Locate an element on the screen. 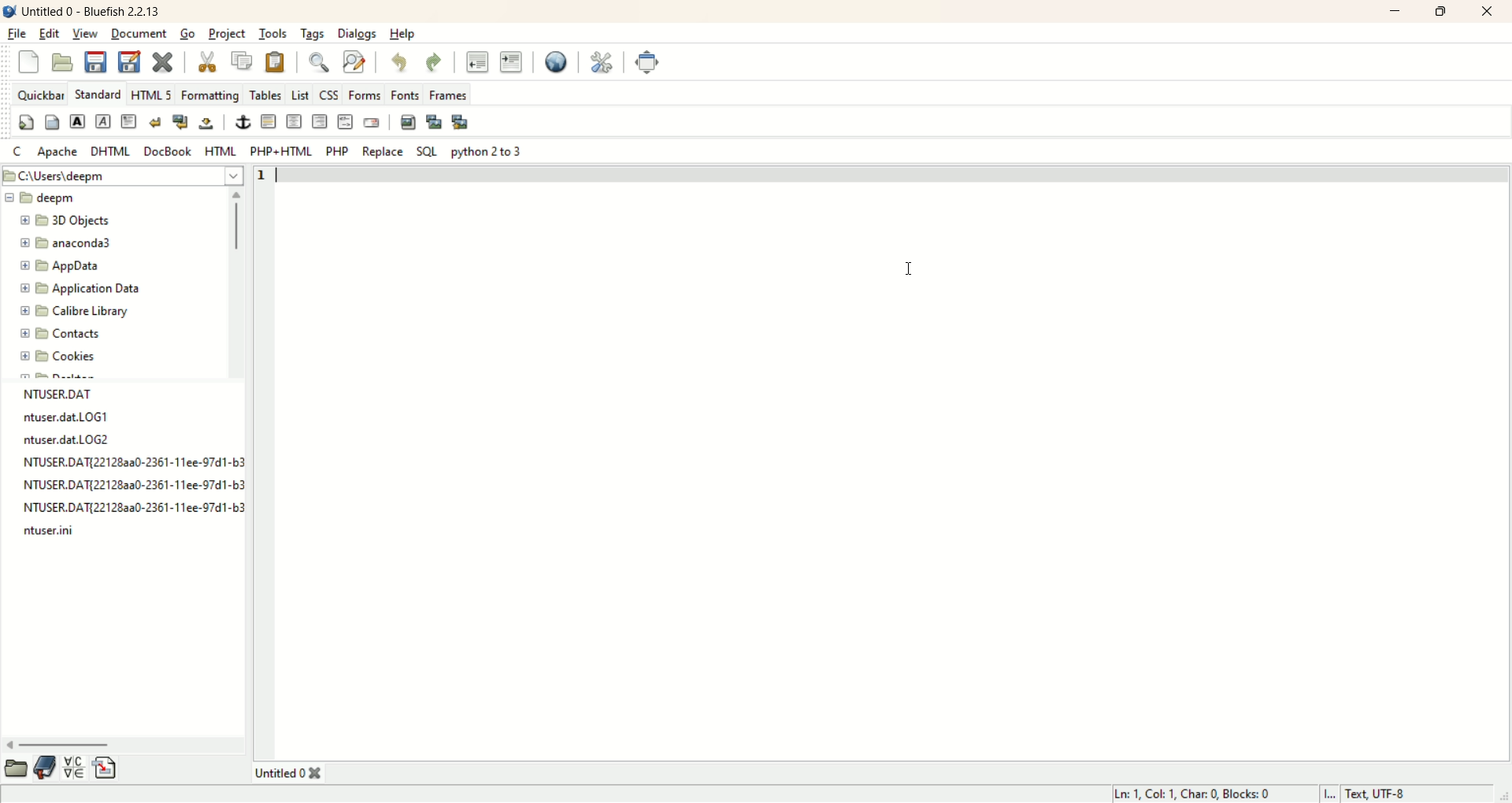 The width and height of the screenshot is (1512, 803). open is located at coordinates (16, 767).